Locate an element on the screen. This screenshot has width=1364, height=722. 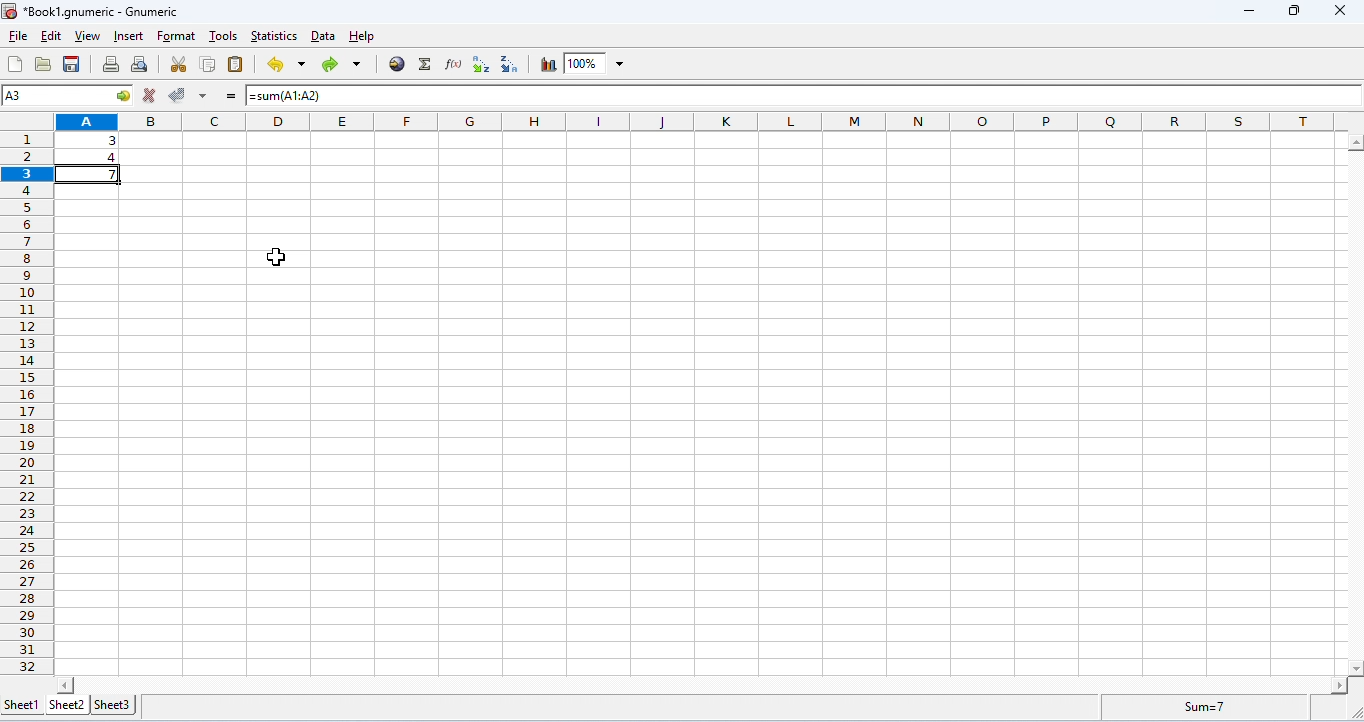
edit is located at coordinates (52, 35).